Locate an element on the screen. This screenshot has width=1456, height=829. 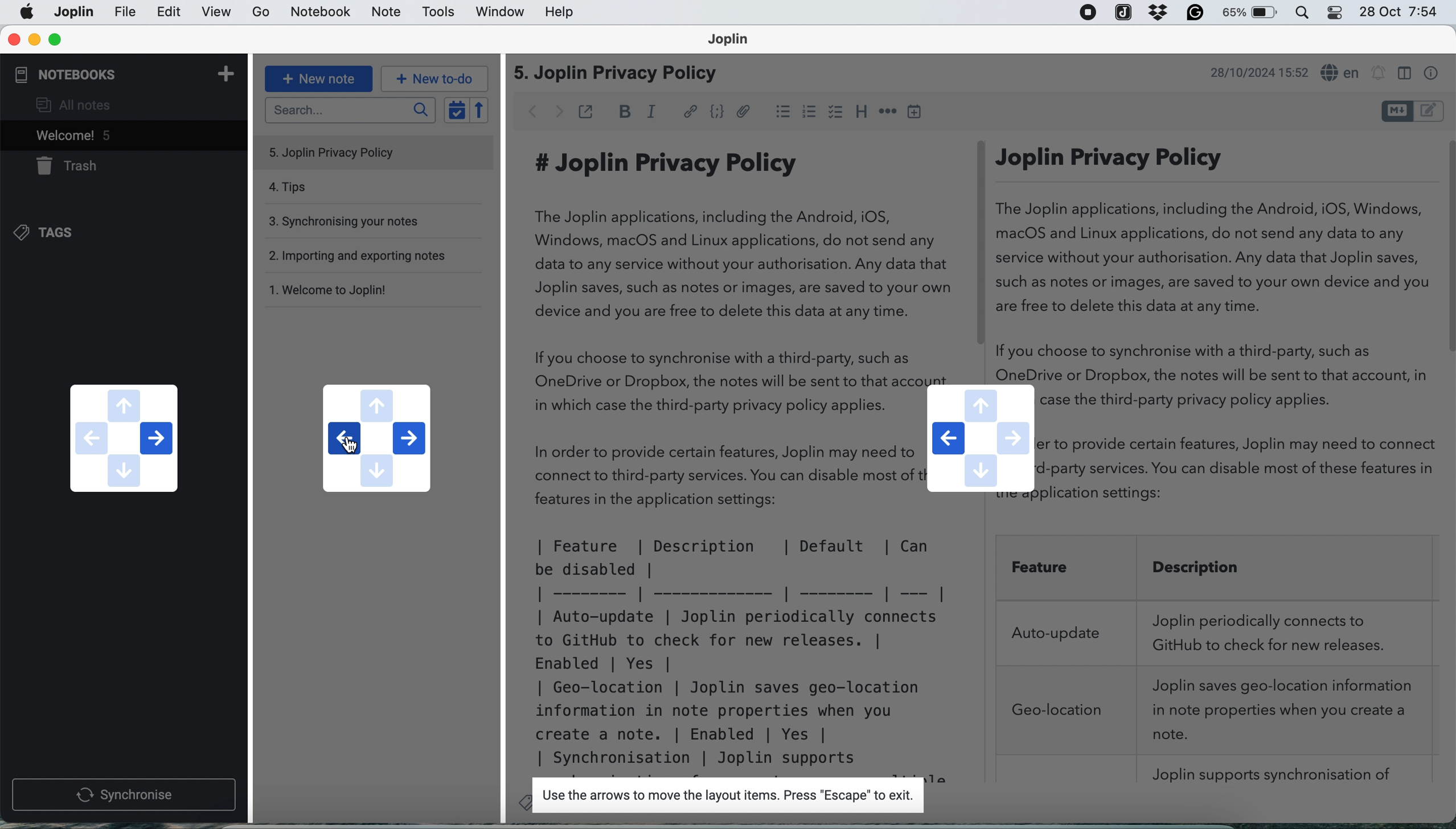
joplin is located at coordinates (126, 13).